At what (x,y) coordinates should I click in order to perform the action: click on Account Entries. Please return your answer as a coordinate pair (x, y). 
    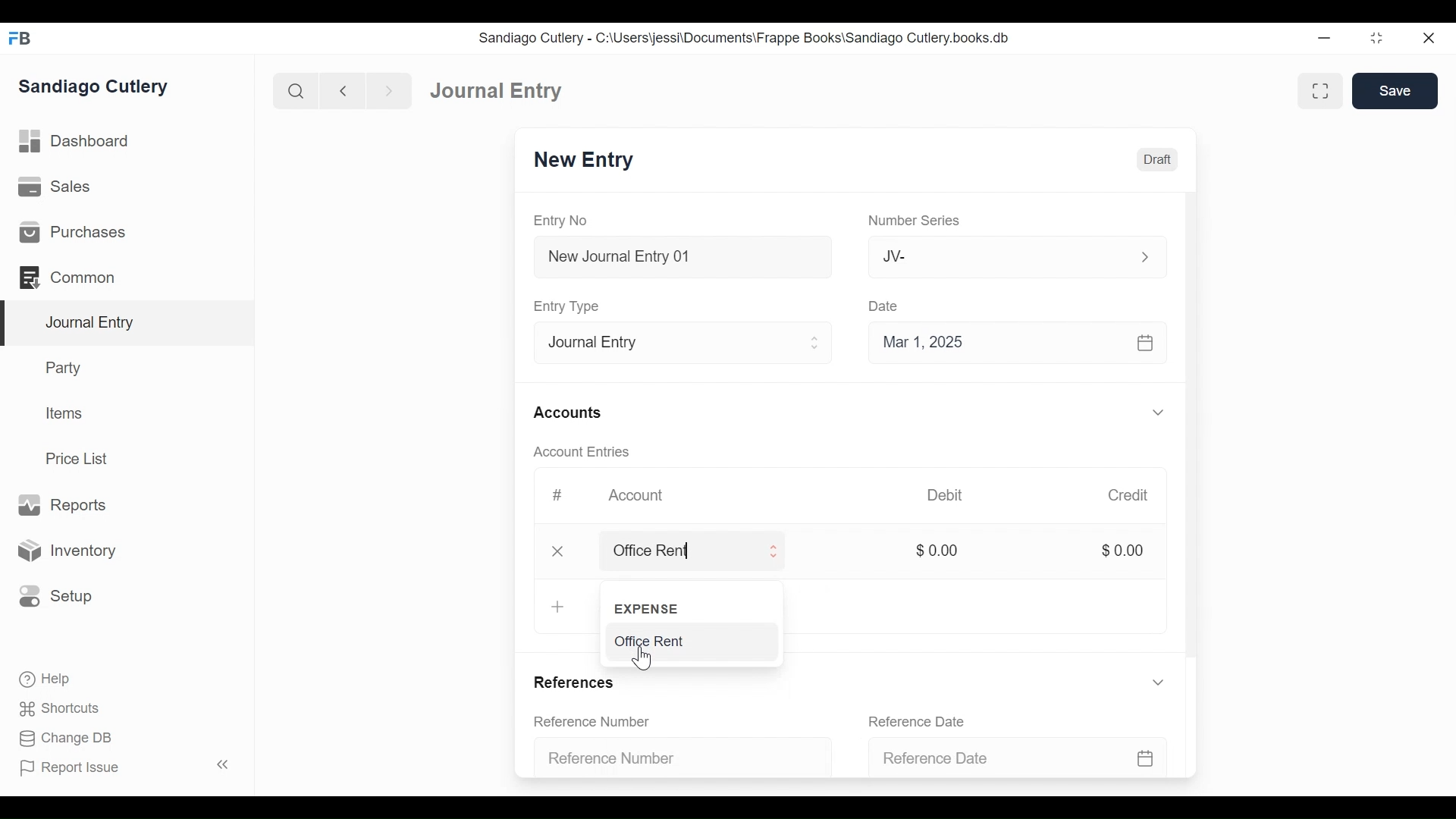
    Looking at the image, I should click on (576, 452).